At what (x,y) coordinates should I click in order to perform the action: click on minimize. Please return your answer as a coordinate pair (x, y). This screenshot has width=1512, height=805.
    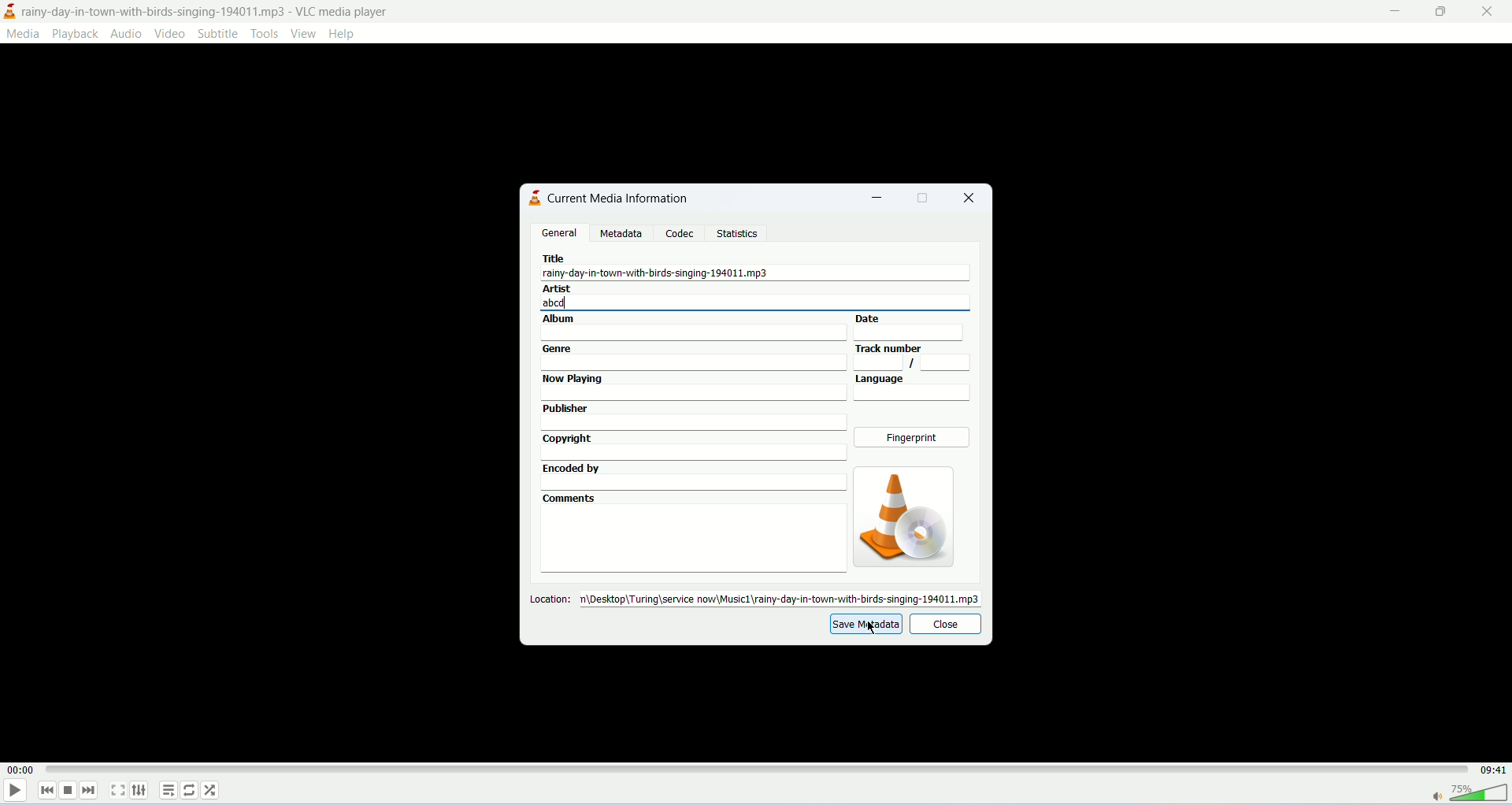
    Looking at the image, I should click on (876, 200).